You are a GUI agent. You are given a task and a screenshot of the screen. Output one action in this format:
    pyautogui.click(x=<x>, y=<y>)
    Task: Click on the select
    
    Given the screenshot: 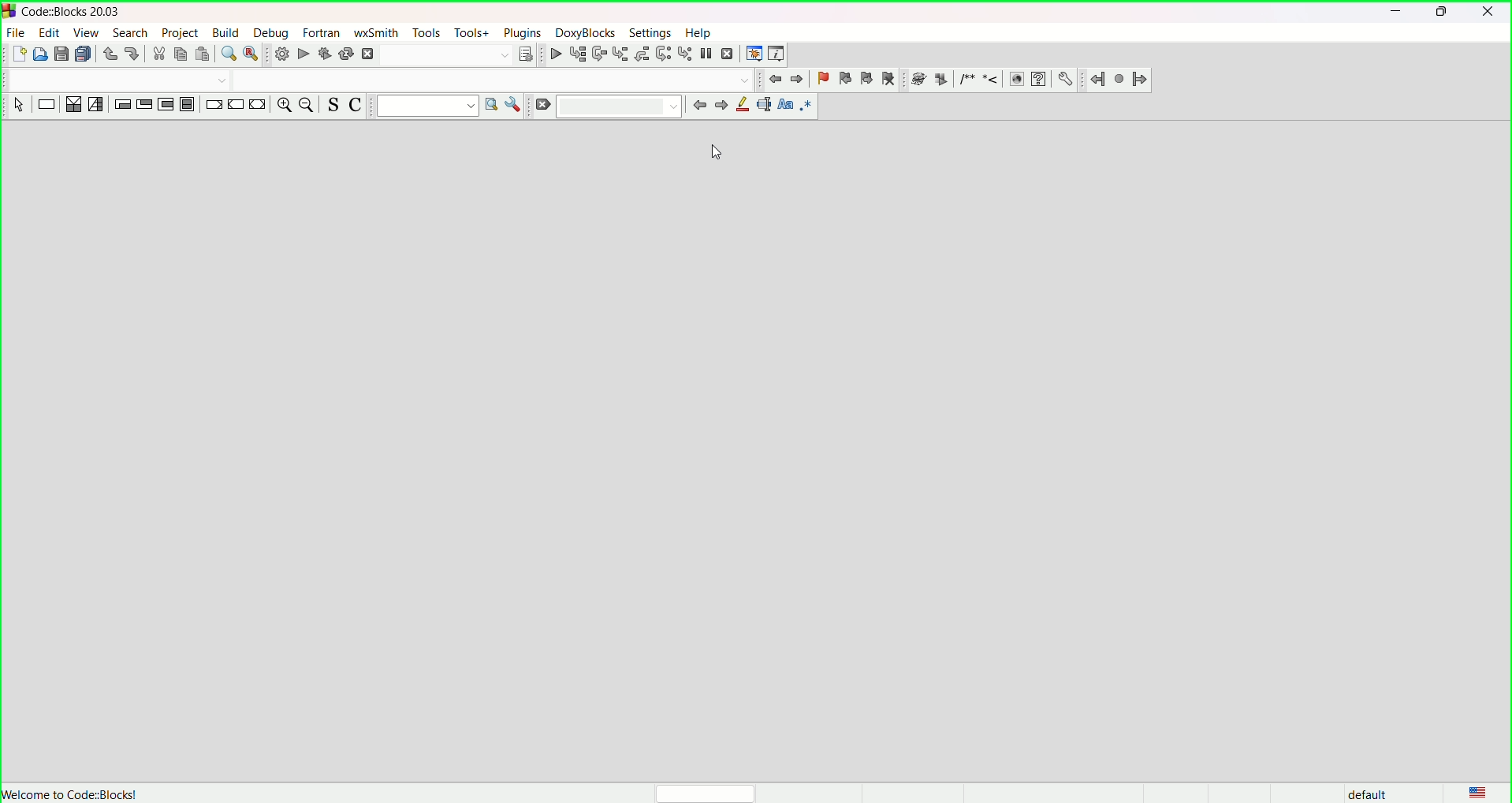 What is the action you would take?
    pyautogui.click(x=18, y=106)
    